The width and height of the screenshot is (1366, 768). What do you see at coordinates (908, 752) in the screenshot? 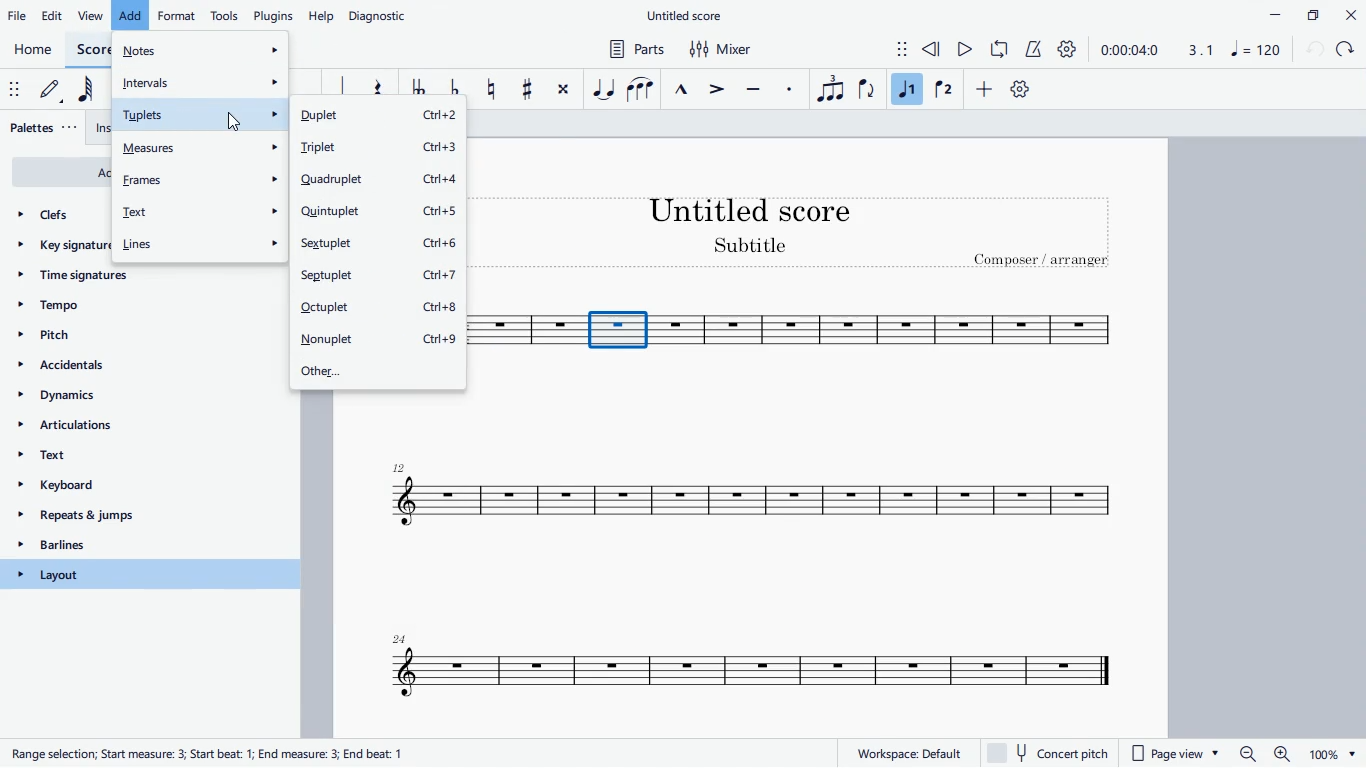
I see `workspace default` at bounding box center [908, 752].